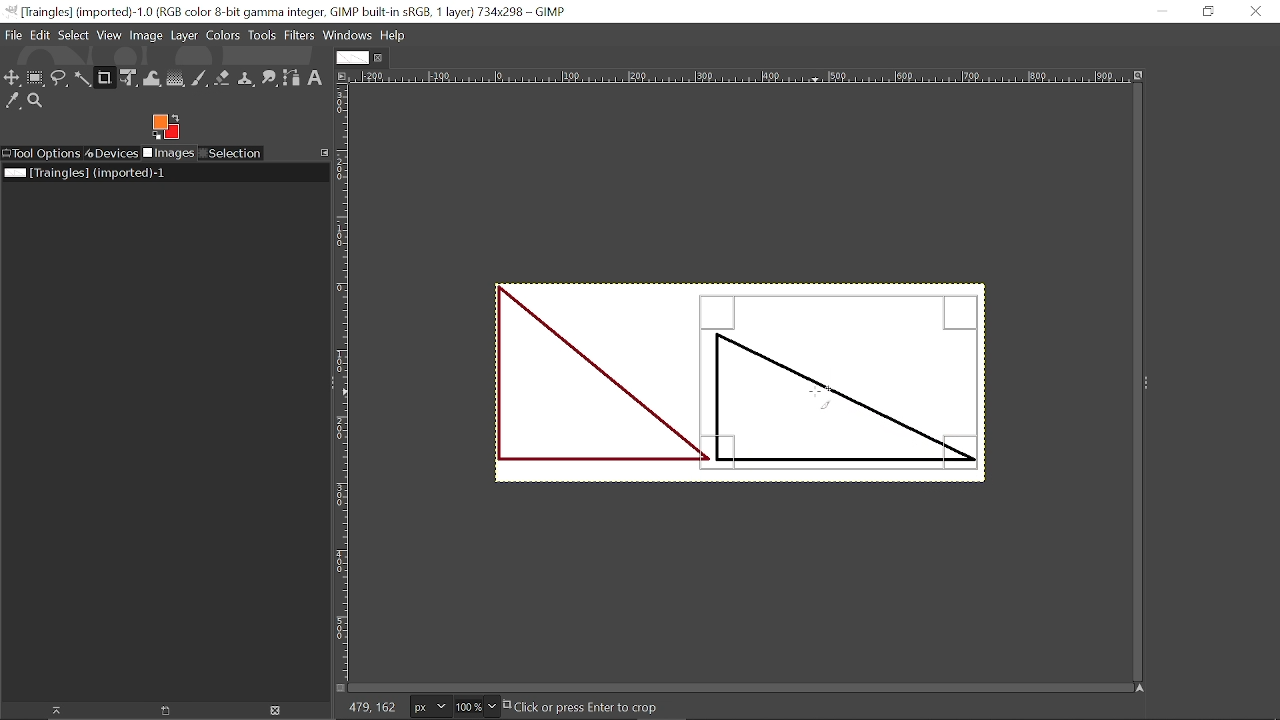  What do you see at coordinates (339, 688) in the screenshot?
I see `Quick view mask on/off` at bounding box center [339, 688].